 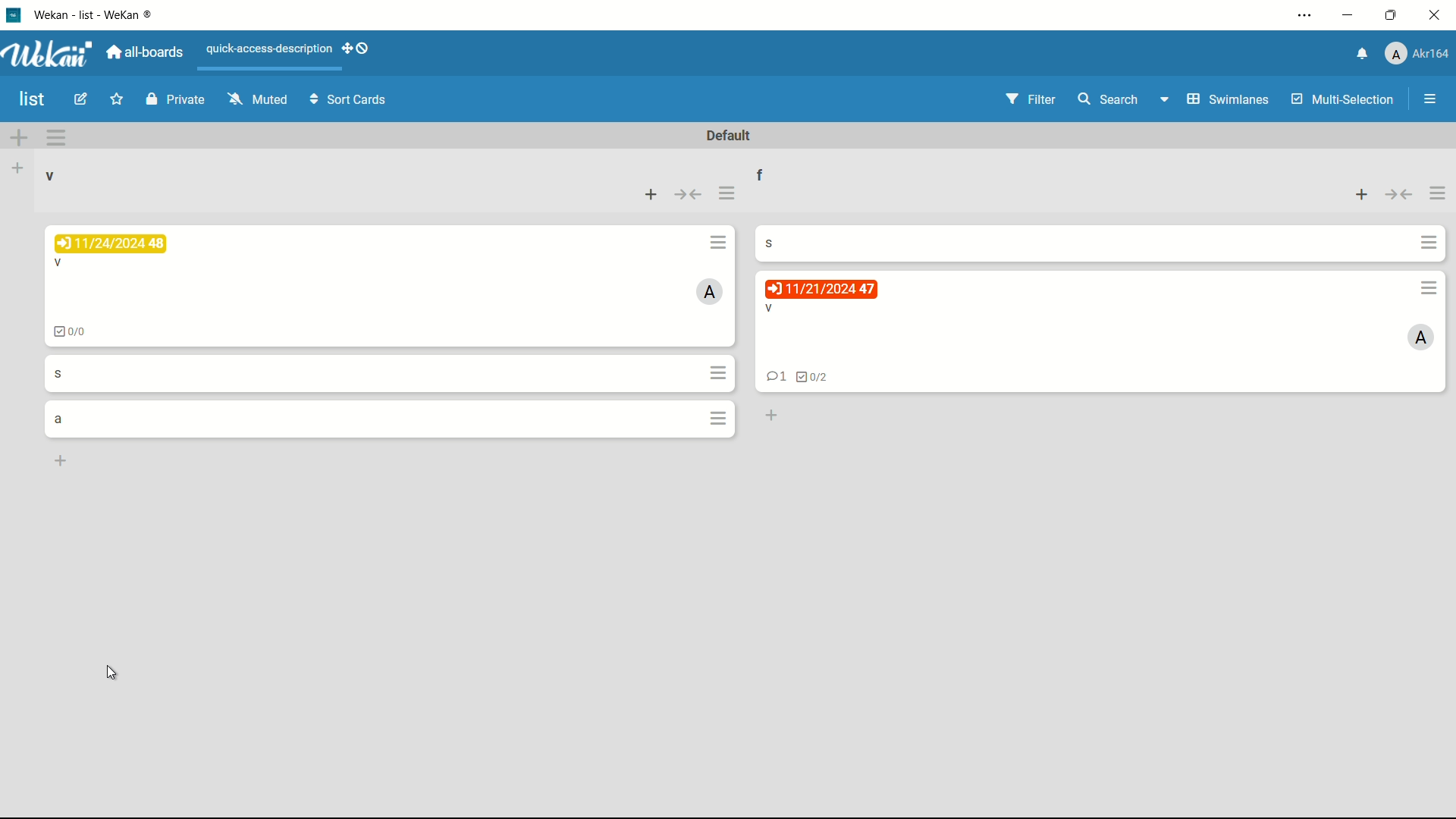 I want to click on search, so click(x=1109, y=101).